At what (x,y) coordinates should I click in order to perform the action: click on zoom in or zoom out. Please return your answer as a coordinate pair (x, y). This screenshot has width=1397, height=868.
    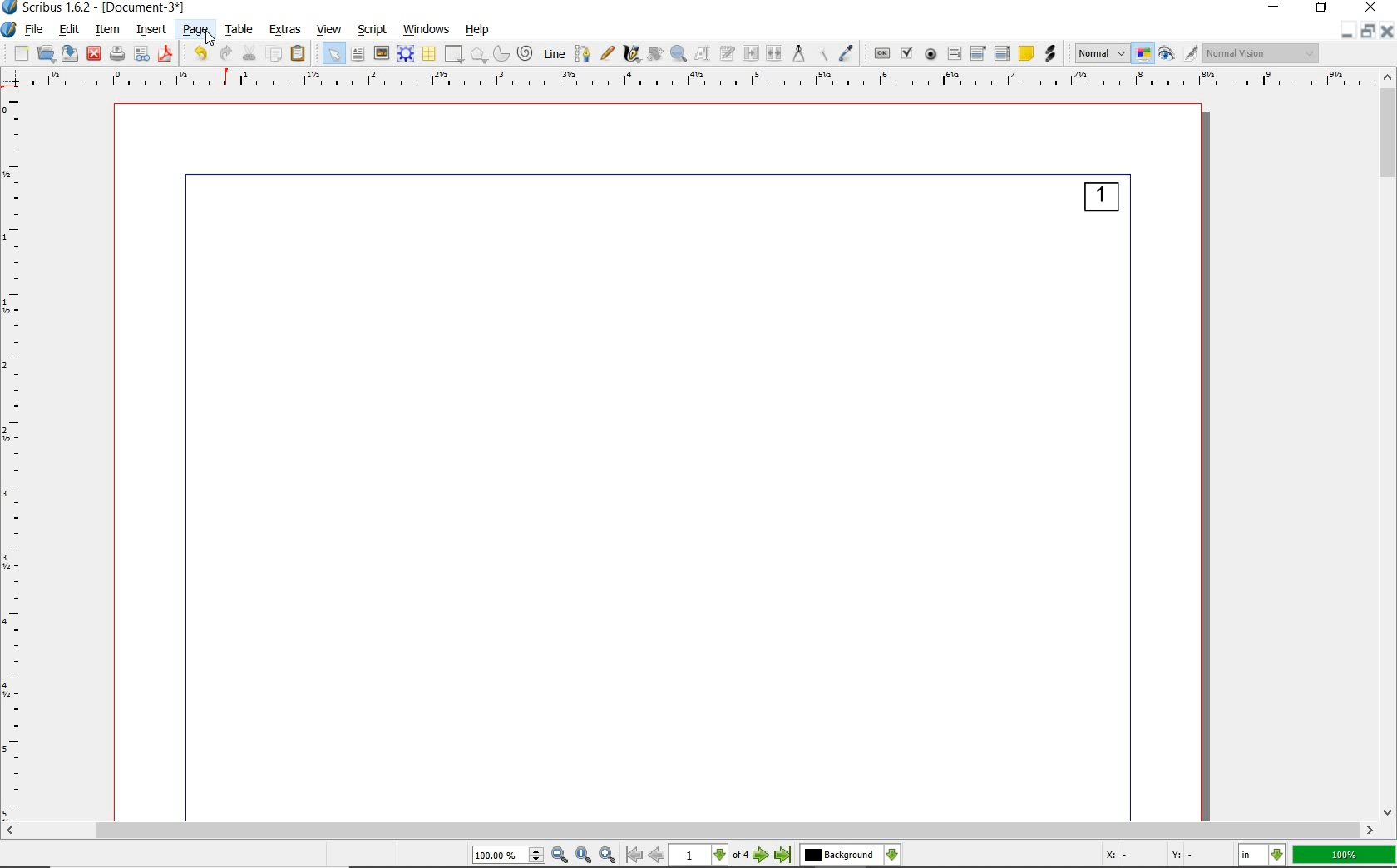
    Looking at the image, I should click on (678, 53).